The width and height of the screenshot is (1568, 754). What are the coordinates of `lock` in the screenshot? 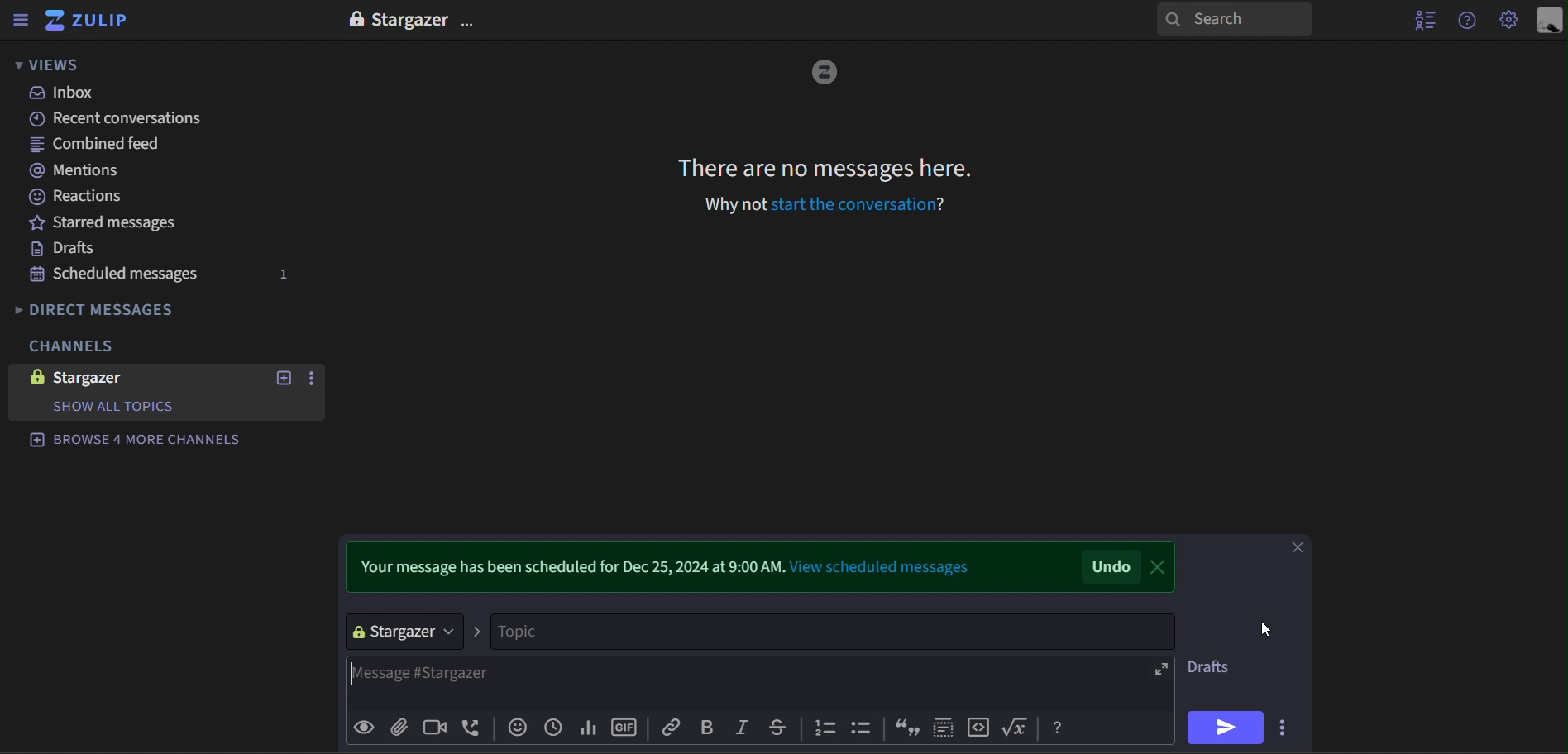 It's located at (355, 19).